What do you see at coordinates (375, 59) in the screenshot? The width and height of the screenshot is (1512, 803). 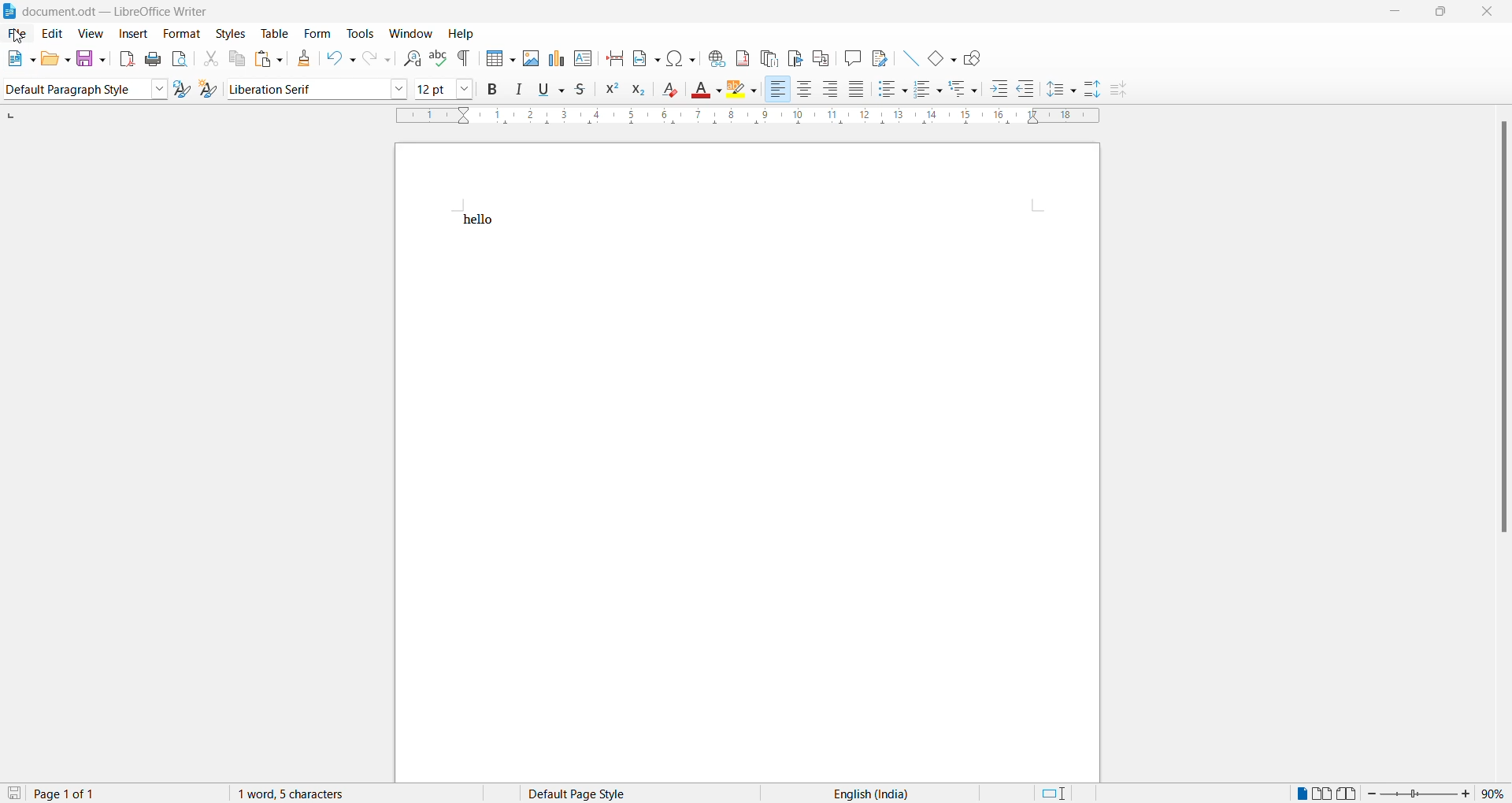 I see `Redo` at bounding box center [375, 59].